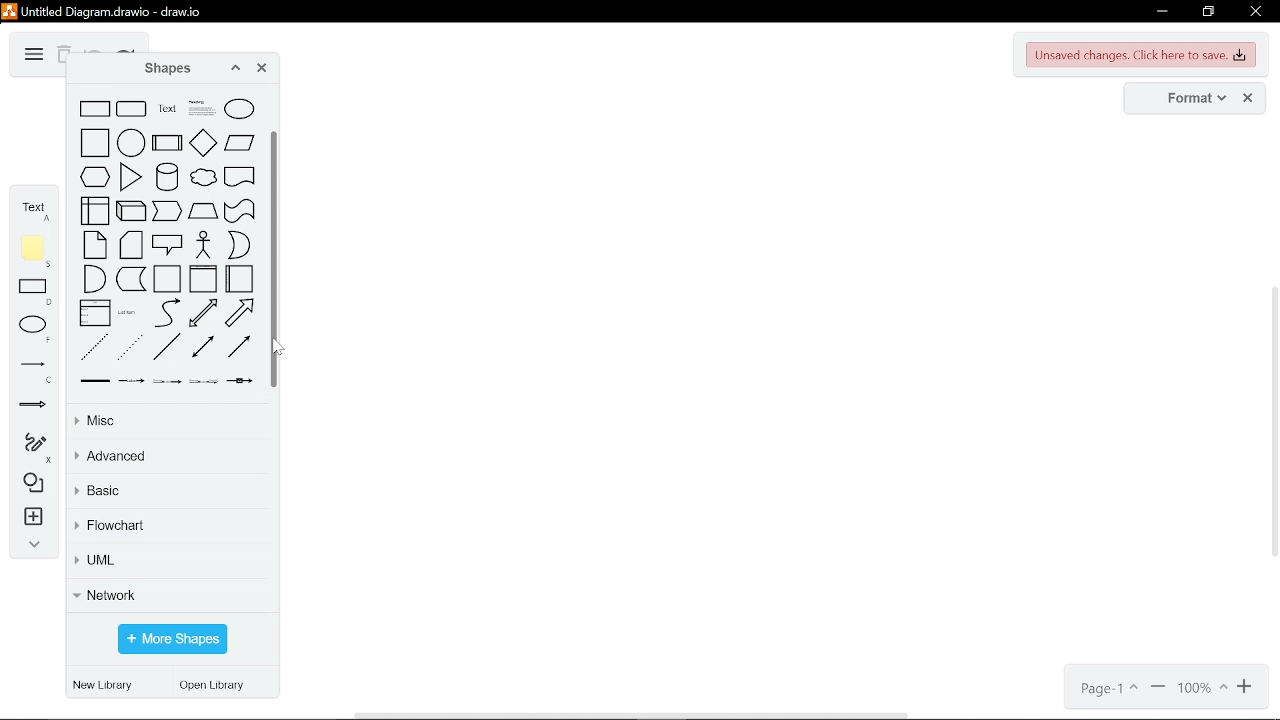  Describe the element at coordinates (1190, 99) in the screenshot. I see `format` at that location.